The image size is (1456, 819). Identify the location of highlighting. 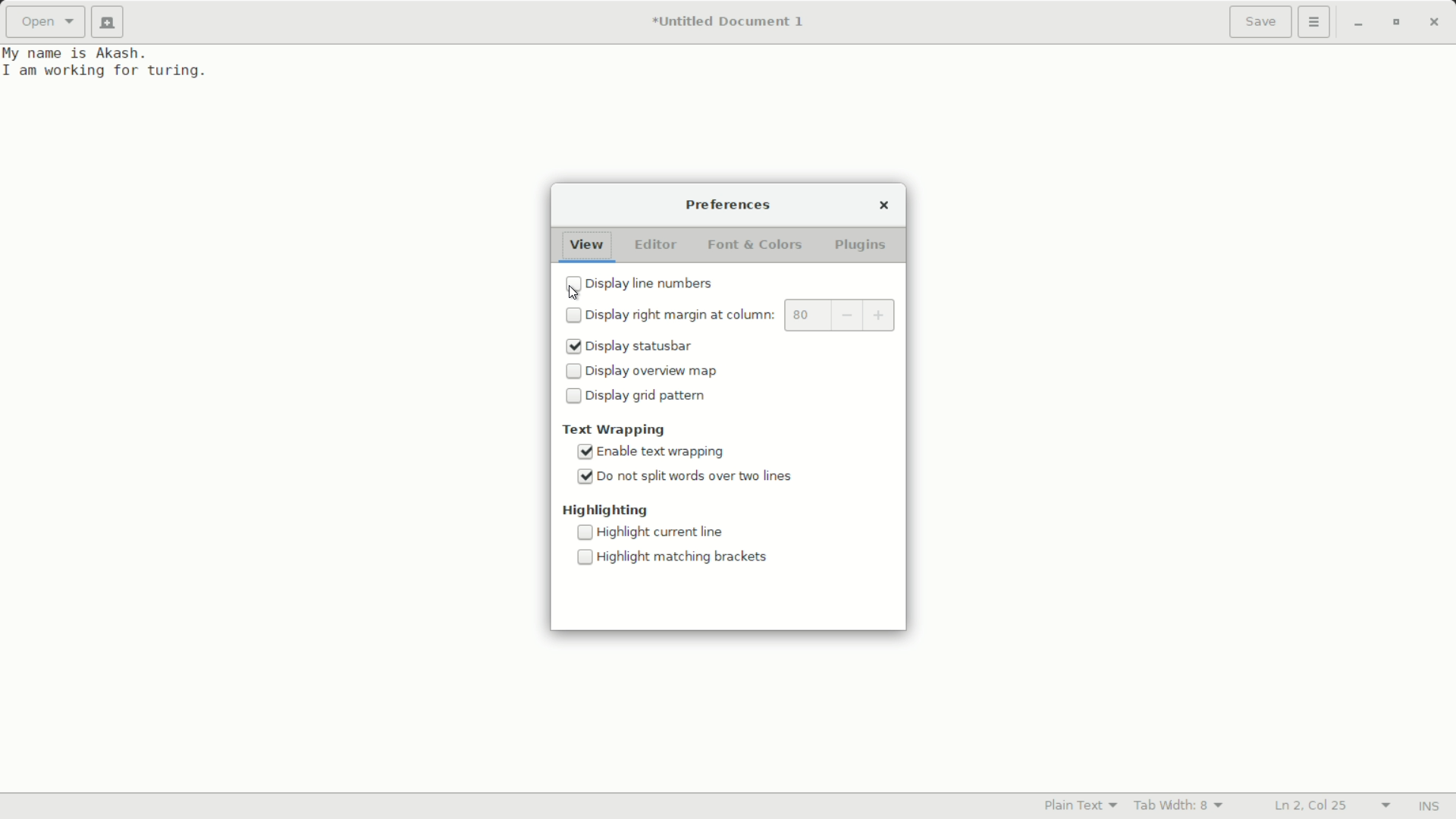
(607, 510).